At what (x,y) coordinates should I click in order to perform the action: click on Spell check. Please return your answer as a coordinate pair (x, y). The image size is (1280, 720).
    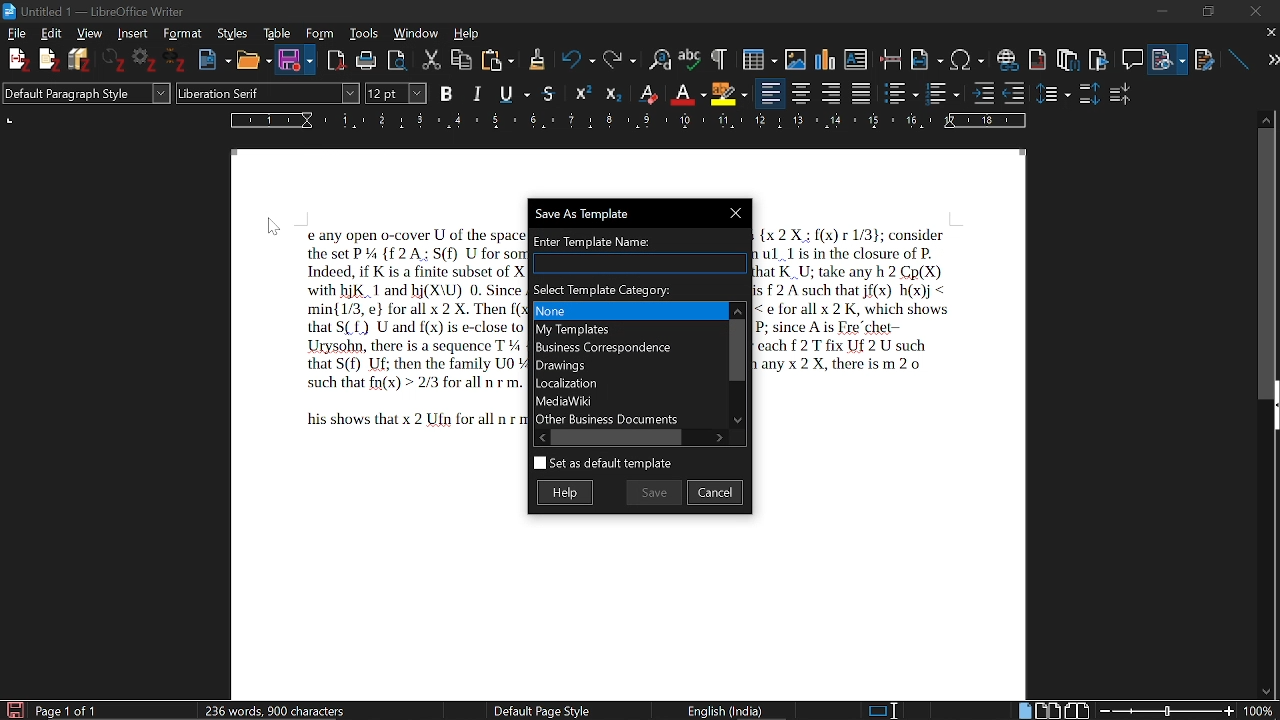
    Looking at the image, I should click on (690, 57).